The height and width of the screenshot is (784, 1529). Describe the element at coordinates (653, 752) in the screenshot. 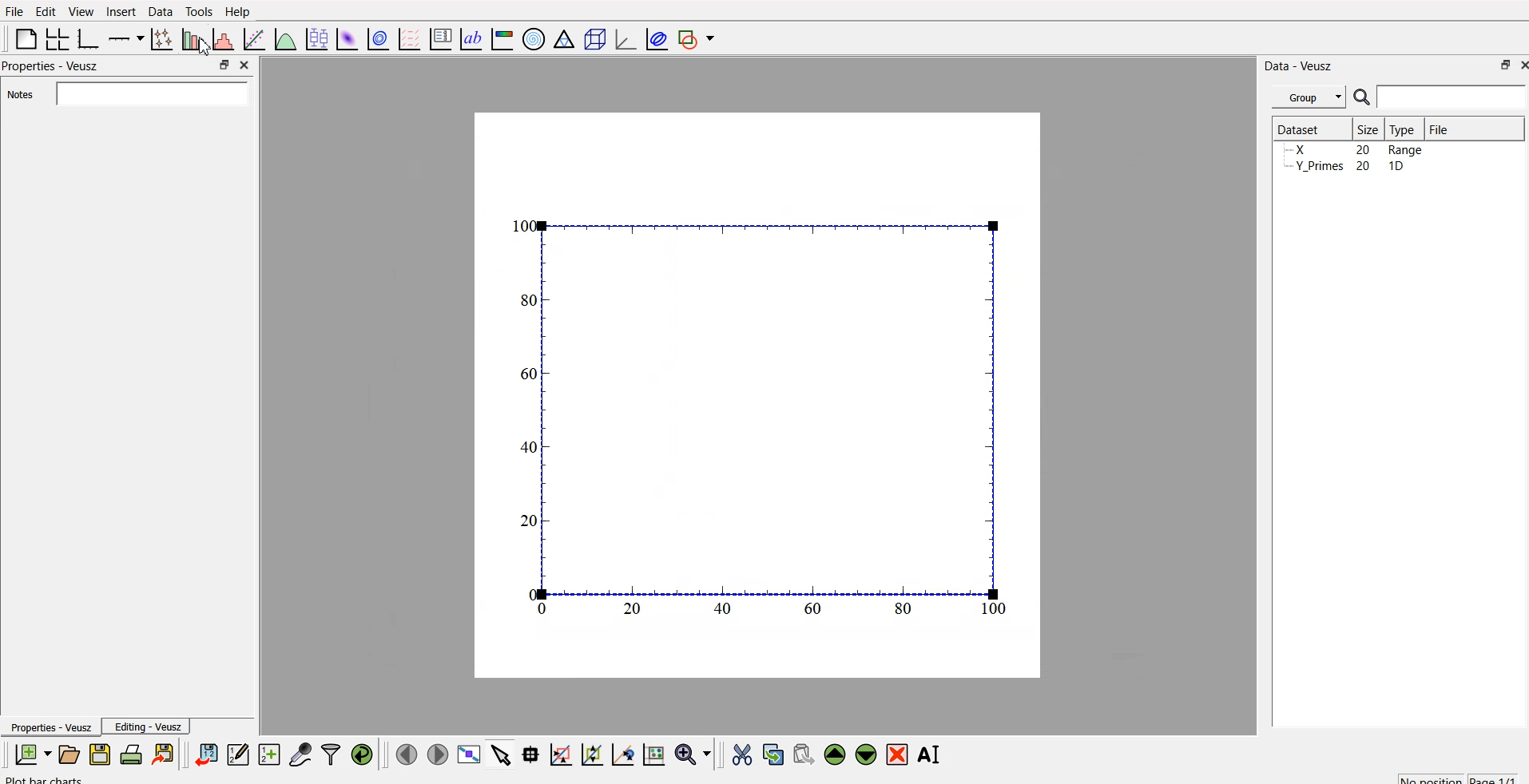

I see `reset graph axes` at that location.